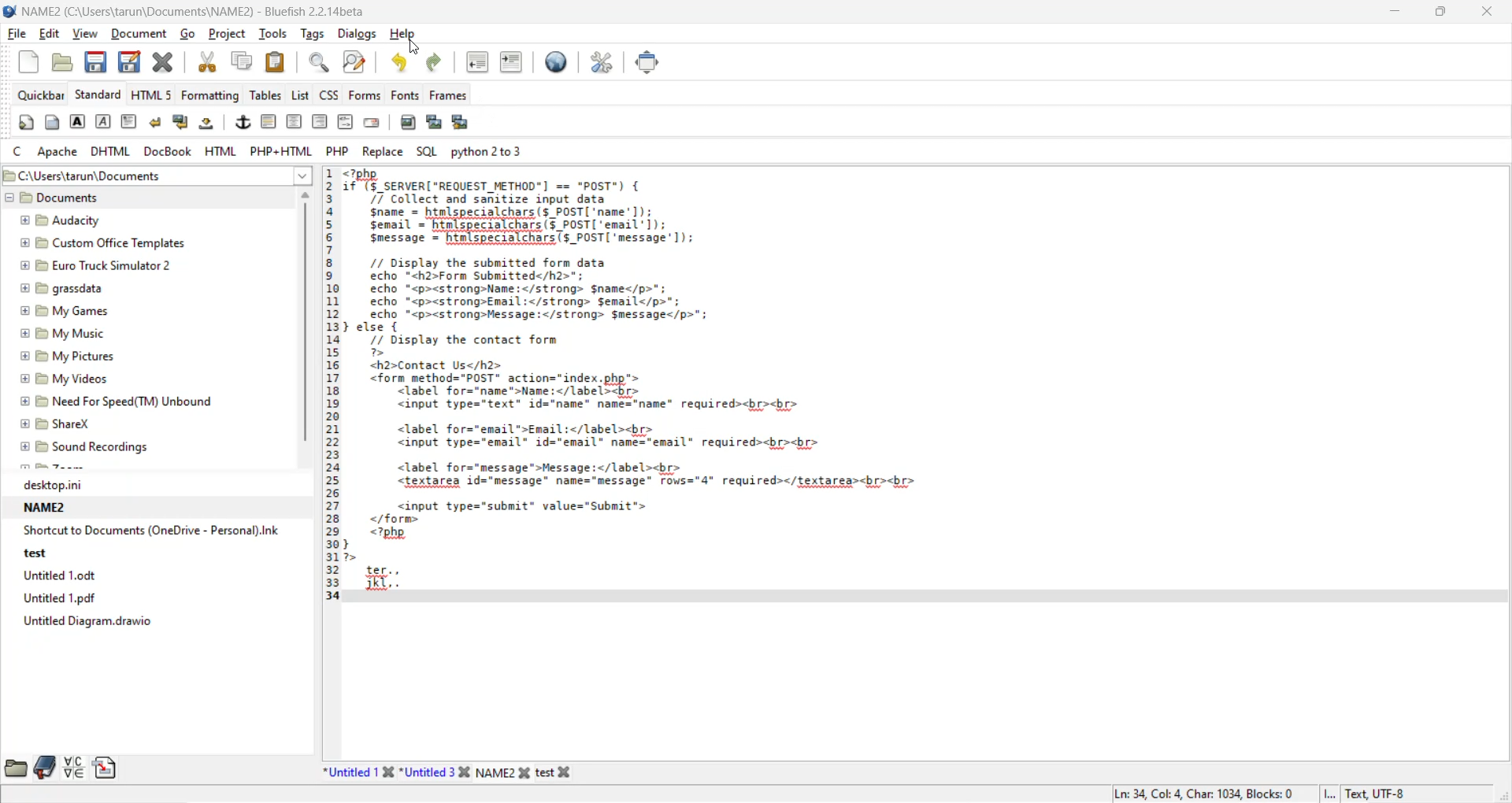 This screenshot has height=803, width=1512. What do you see at coordinates (1369, 793) in the screenshot?
I see `Text, UTF-8` at bounding box center [1369, 793].